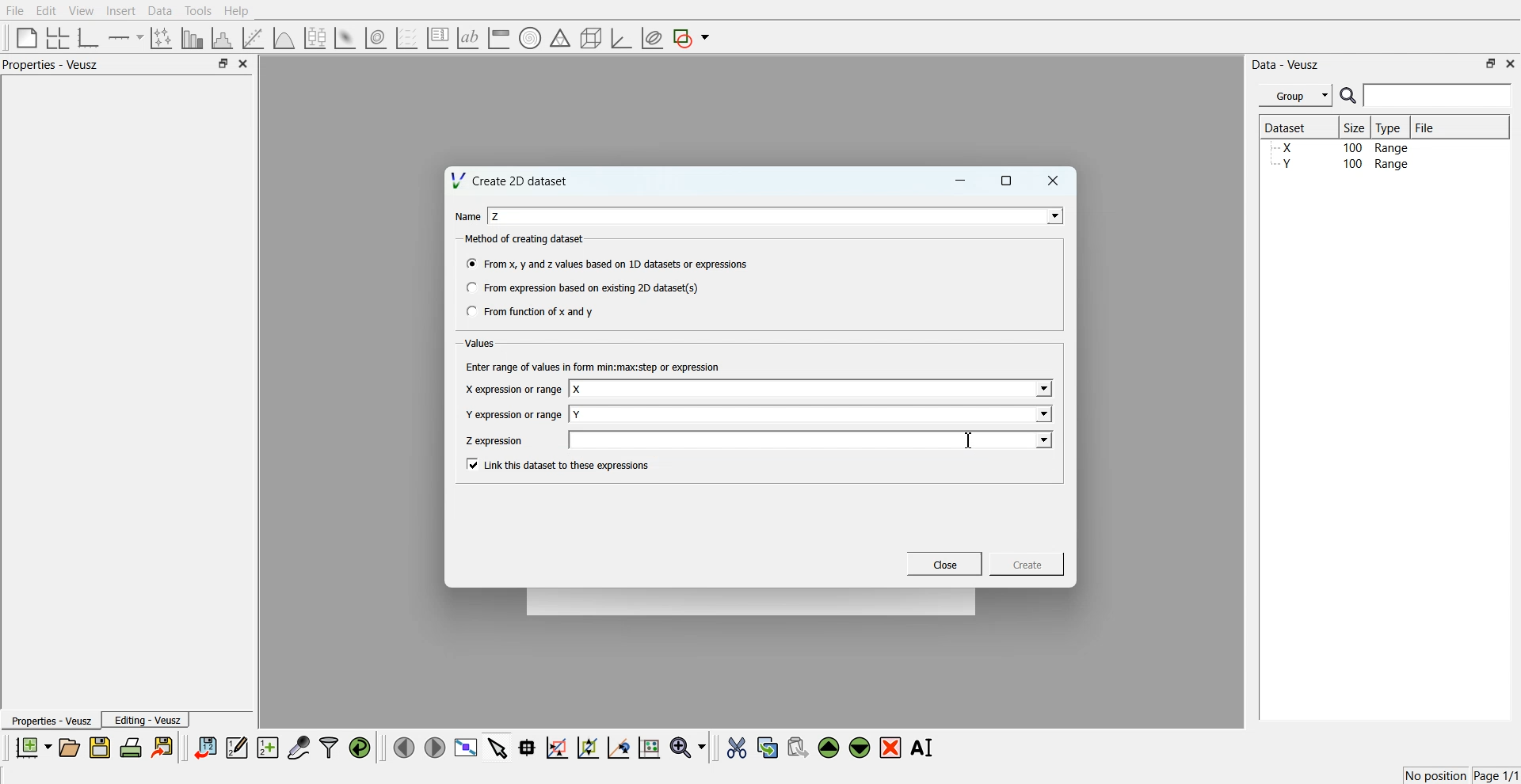 This screenshot has width=1521, height=784. What do you see at coordinates (528, 747) in the screenshot?
I see `Read data points from graph` at bounding box center [528, 747].